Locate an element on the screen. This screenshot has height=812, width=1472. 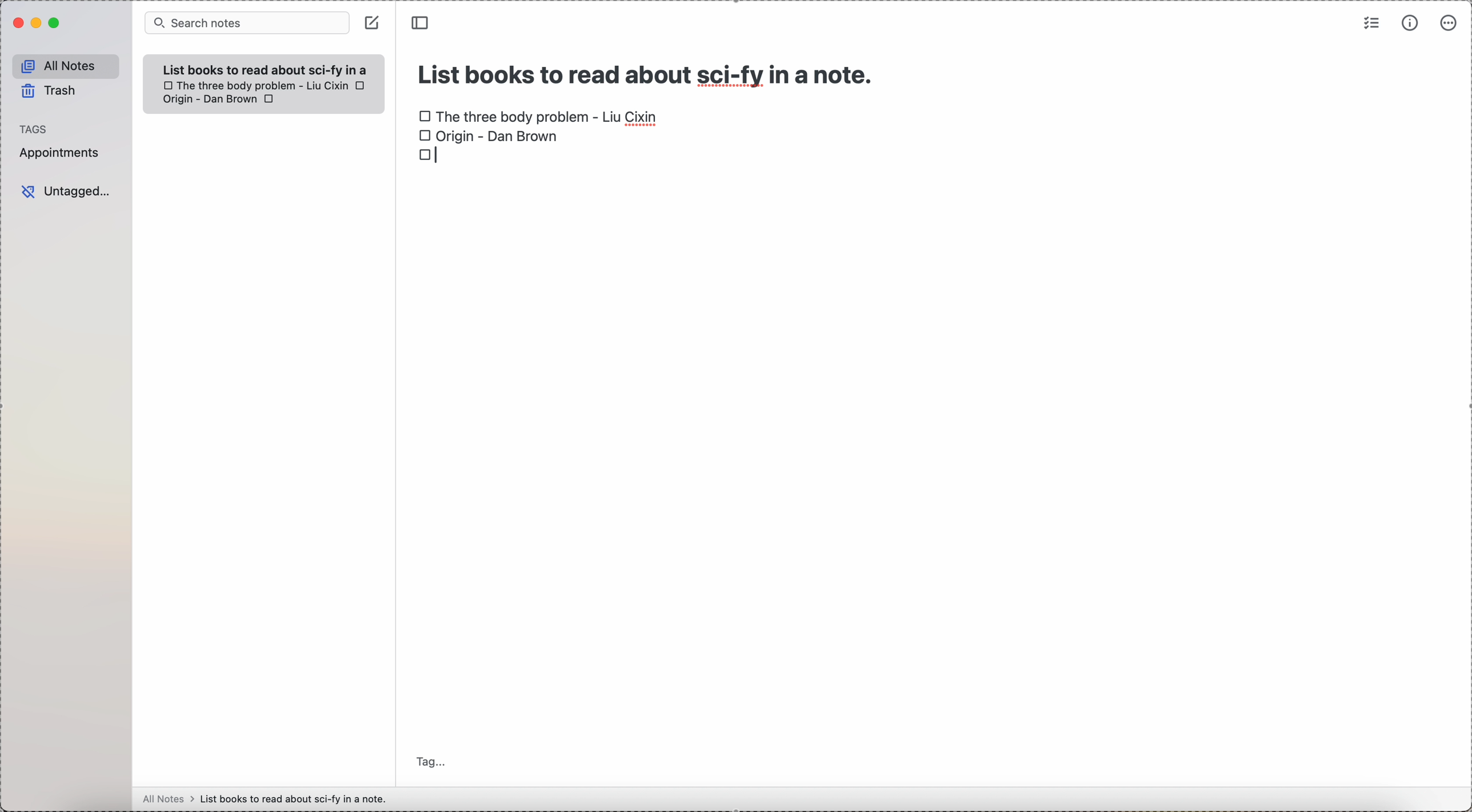
Origin - Dan Brown is located at coordinates (209, 100).